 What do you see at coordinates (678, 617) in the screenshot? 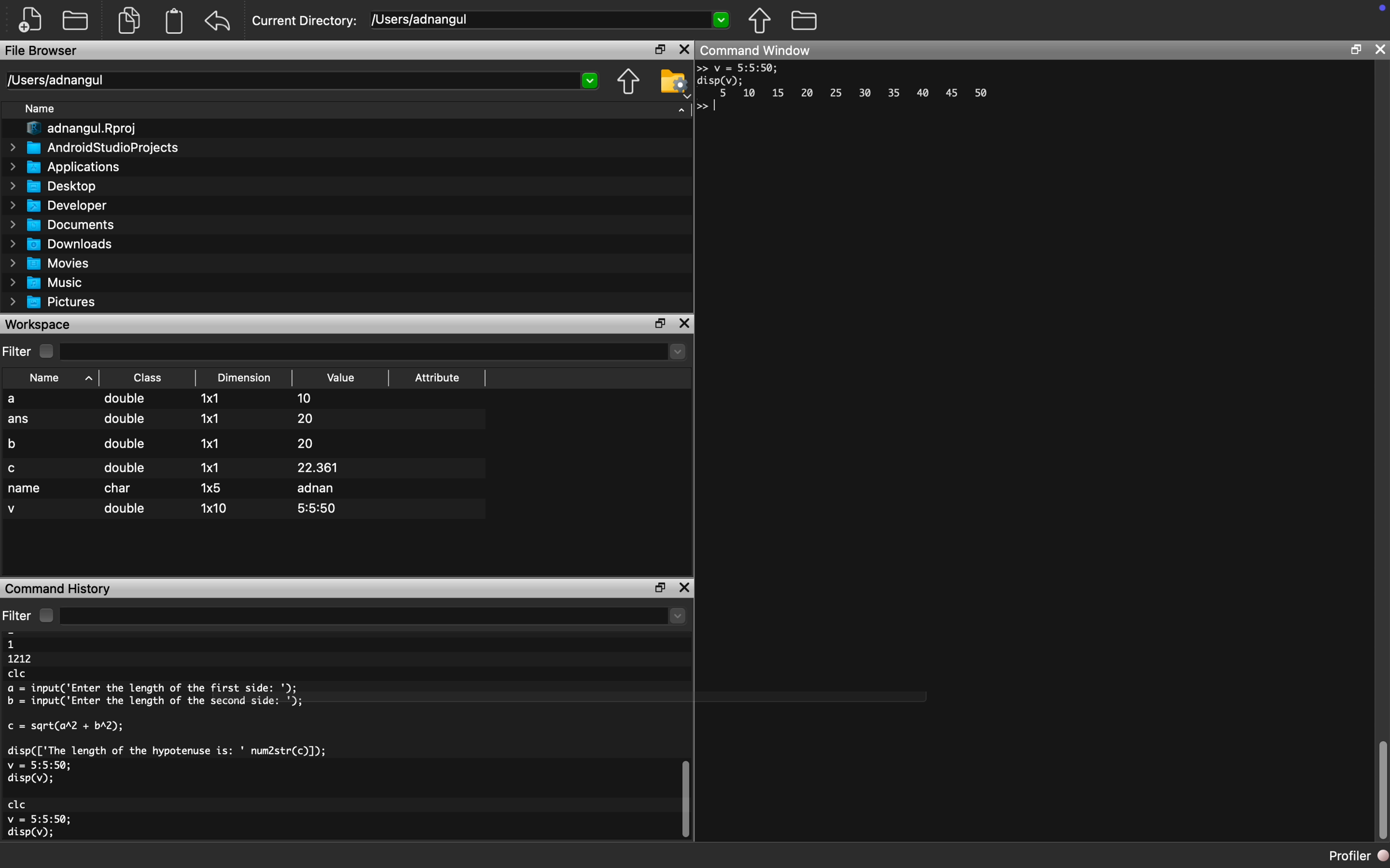
I see `dropdown` at bounding box center [678, 617].